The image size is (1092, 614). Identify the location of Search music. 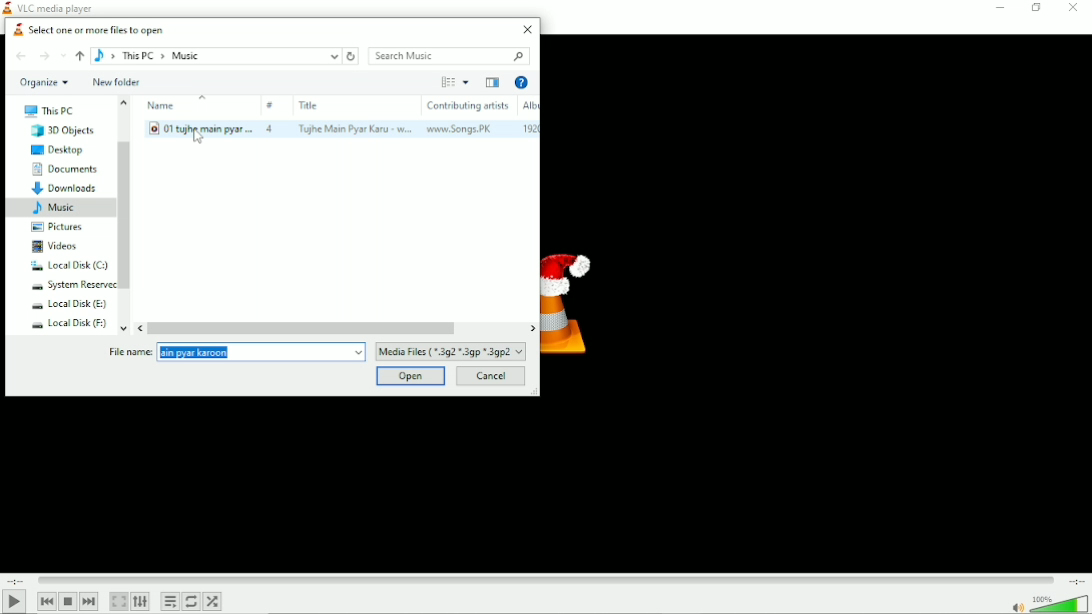
(448, 56).